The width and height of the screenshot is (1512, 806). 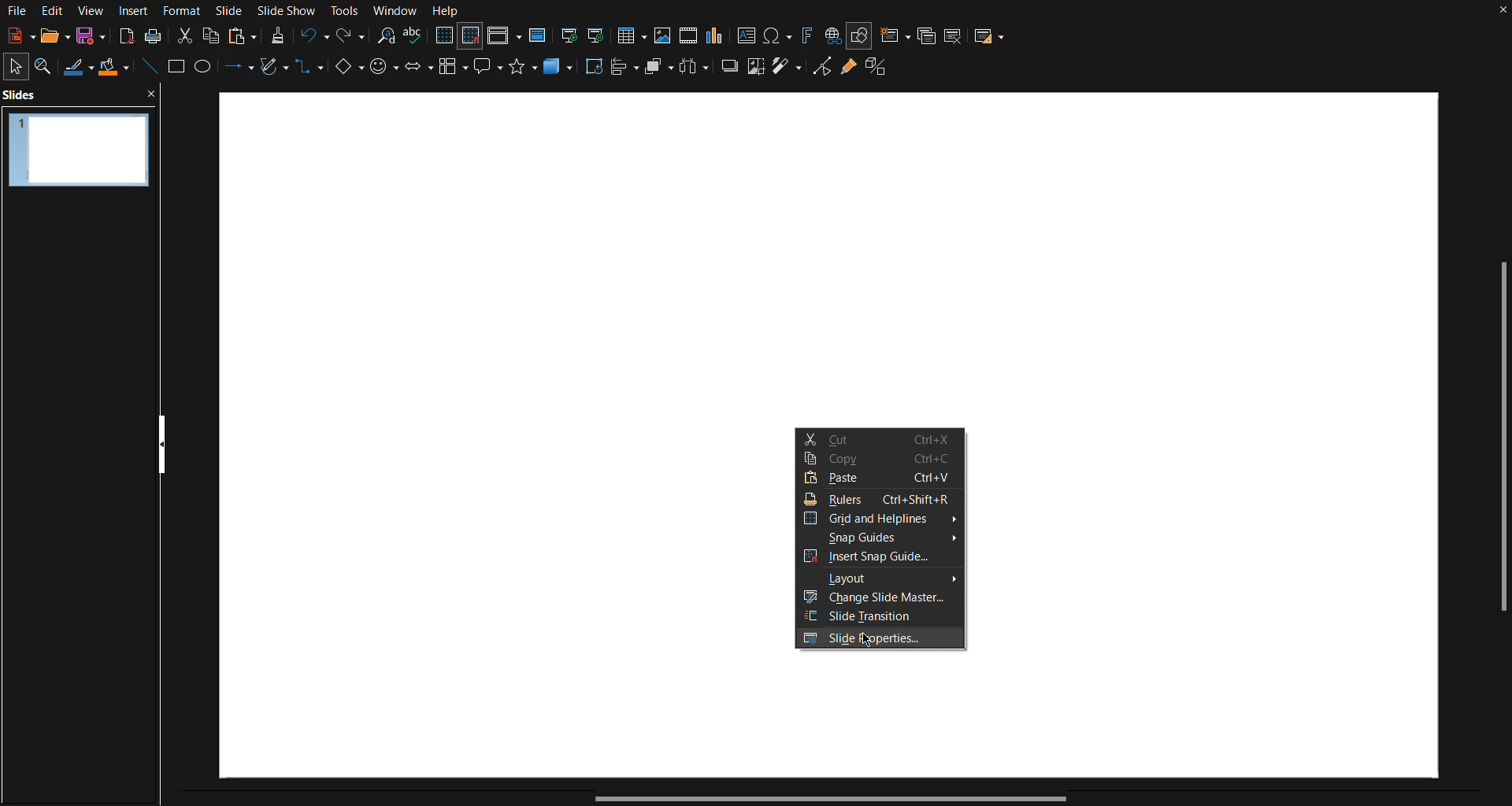 I want to click on Duplicate Slide, so click(x=926, y=35).